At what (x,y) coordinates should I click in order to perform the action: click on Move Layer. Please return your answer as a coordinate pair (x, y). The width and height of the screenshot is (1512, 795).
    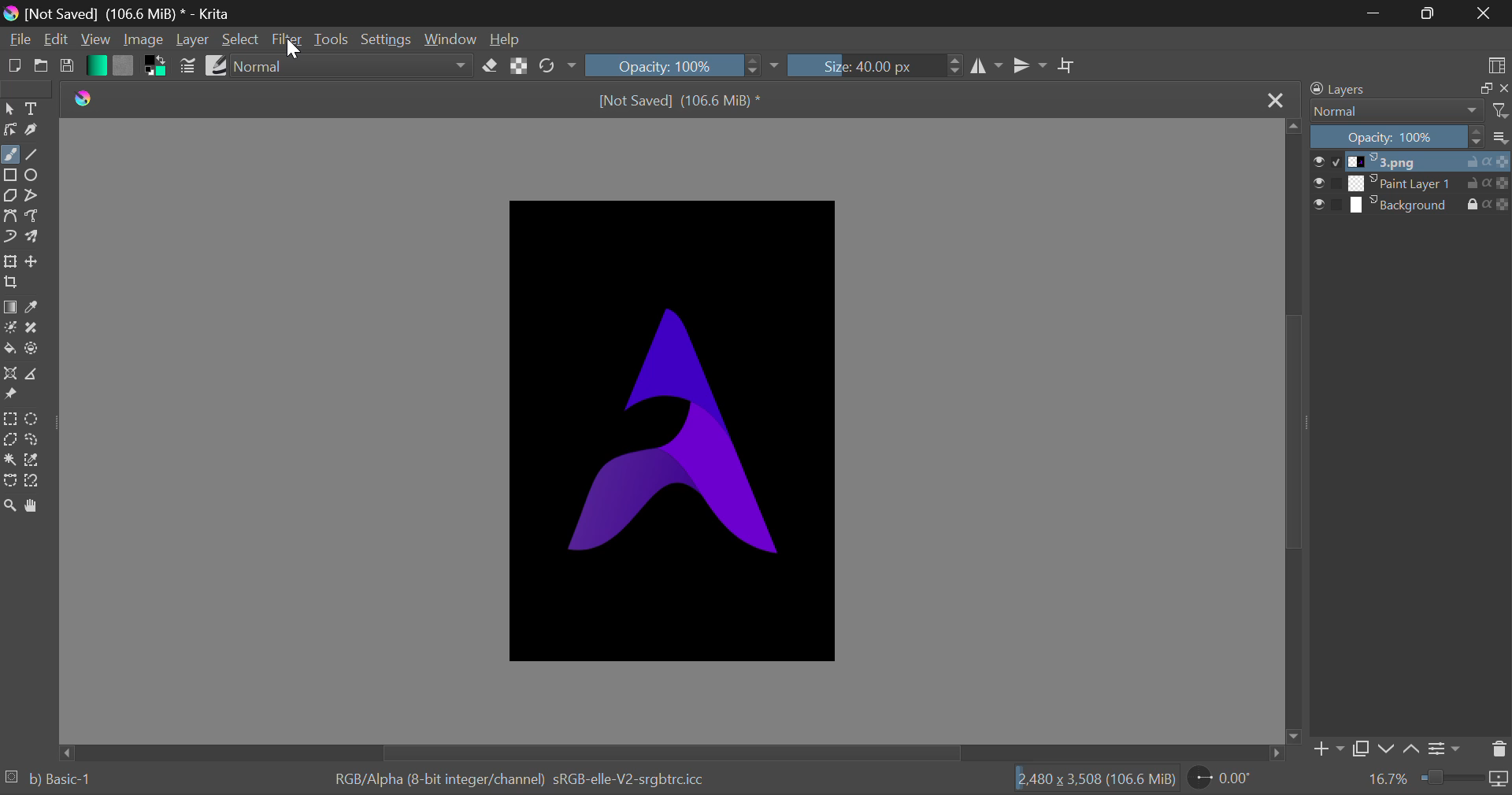
    Looking at the image, I should click on (36, 263).